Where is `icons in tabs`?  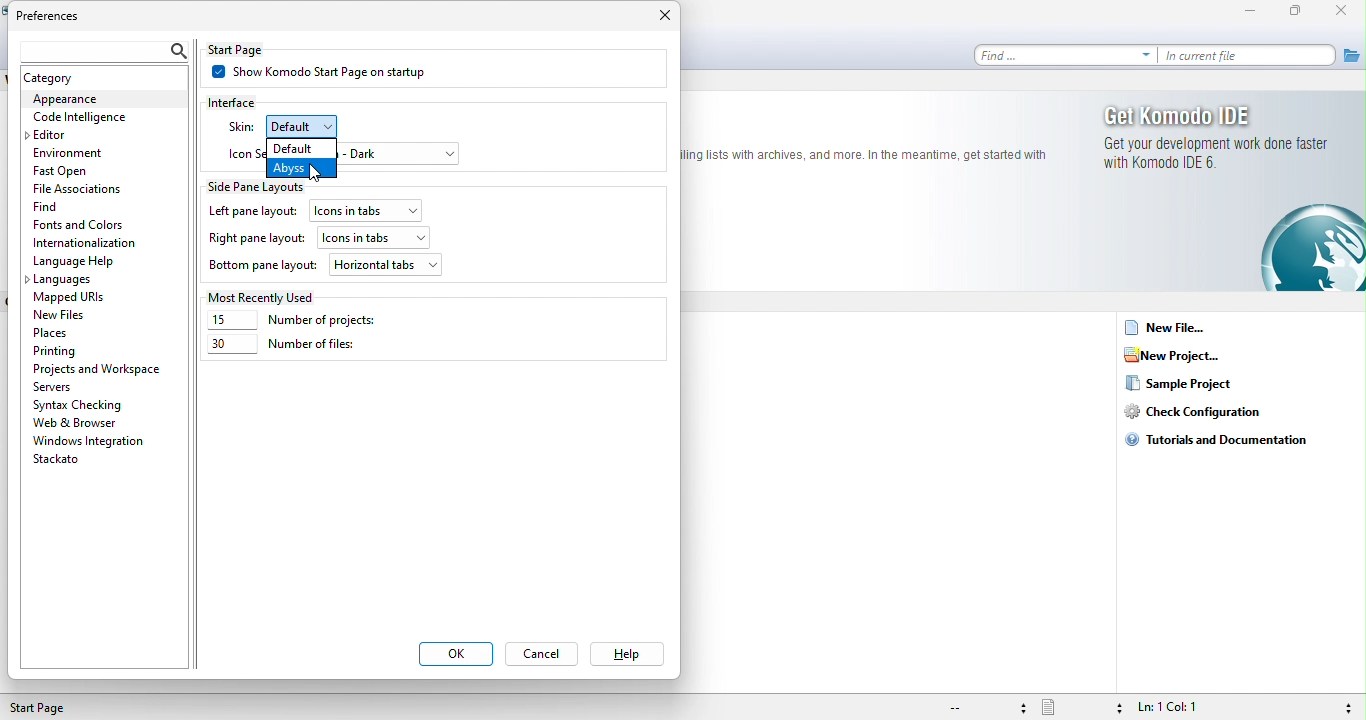 icons in tabs is located at coordinates (374, 235).